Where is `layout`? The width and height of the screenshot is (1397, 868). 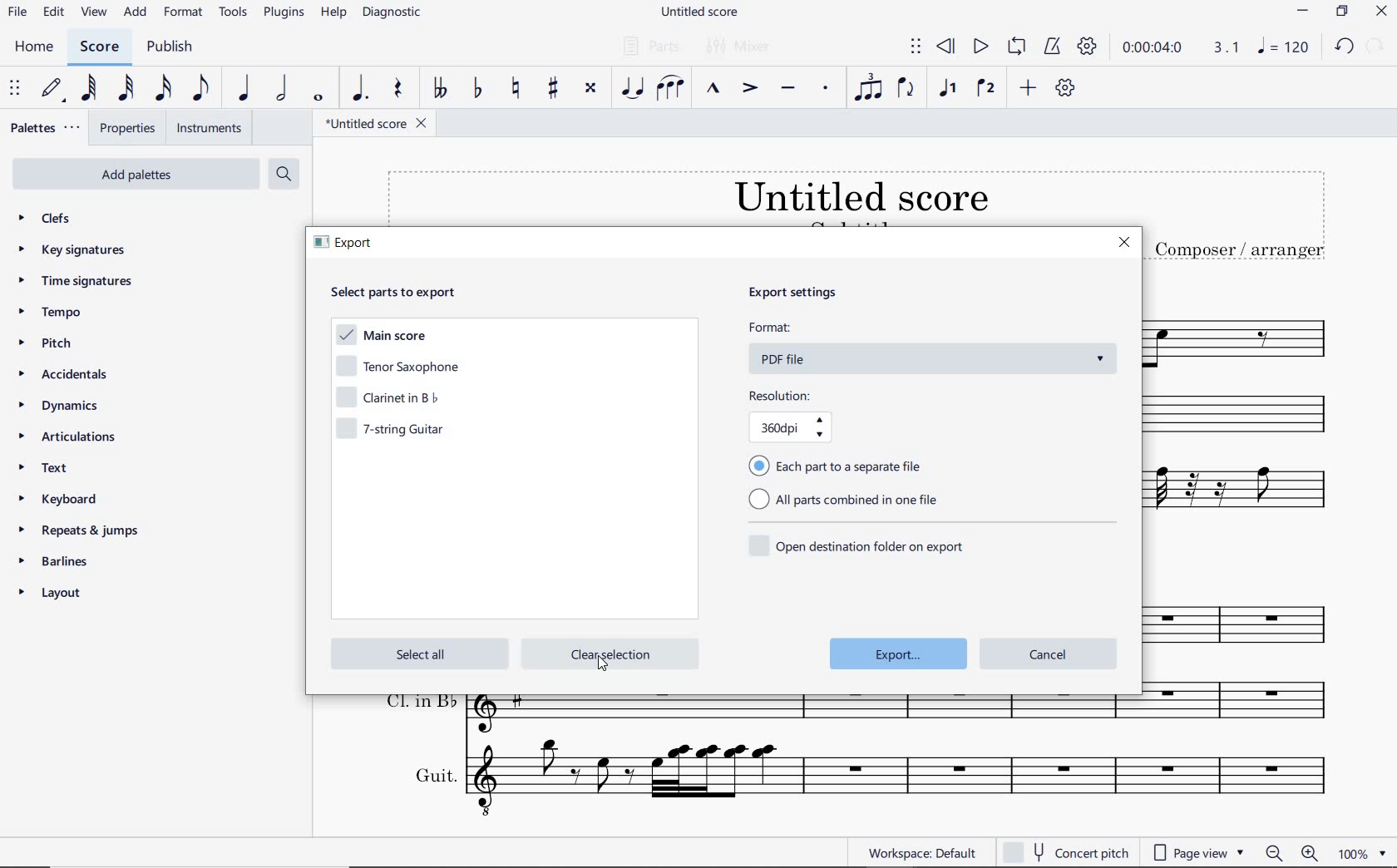 layout is located at coordinates (55, 594).